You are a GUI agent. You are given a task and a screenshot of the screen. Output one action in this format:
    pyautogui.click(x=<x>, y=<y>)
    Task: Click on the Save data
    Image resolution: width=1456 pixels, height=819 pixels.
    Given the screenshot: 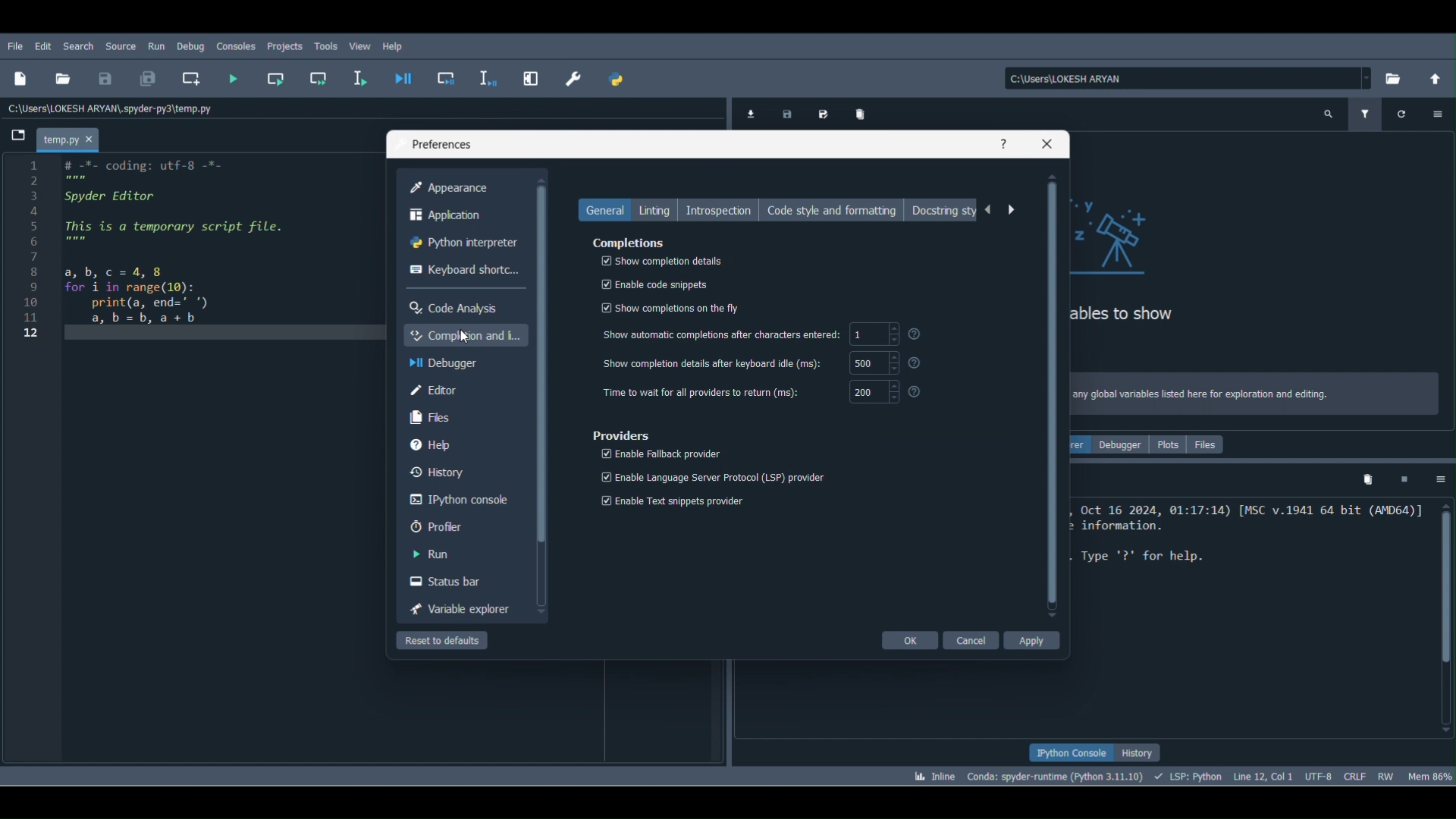 What is the action you would take?
    pyautogui.click(x=784, y=115)
    